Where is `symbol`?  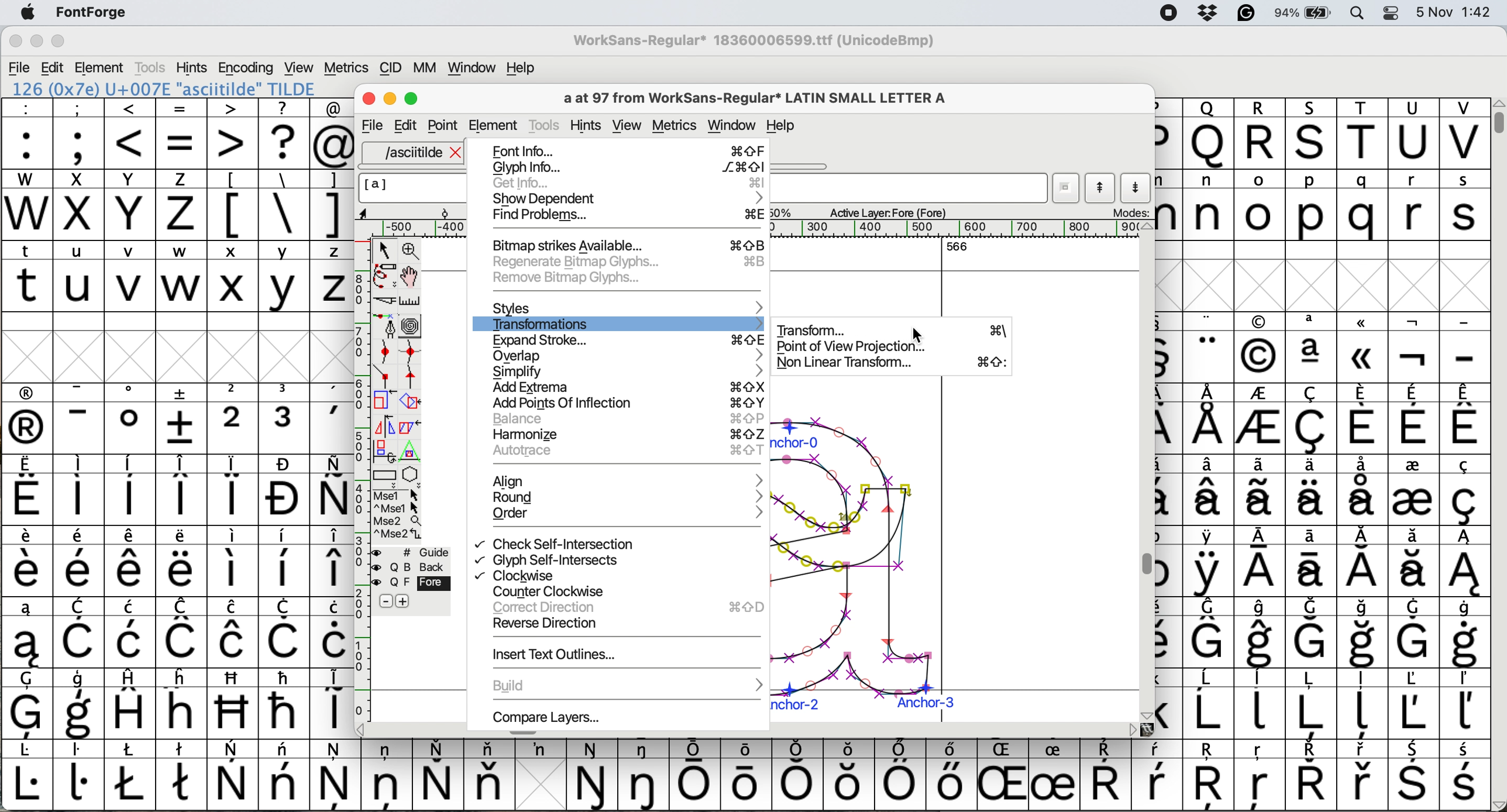 symbol is located at coordinates (80, 419).